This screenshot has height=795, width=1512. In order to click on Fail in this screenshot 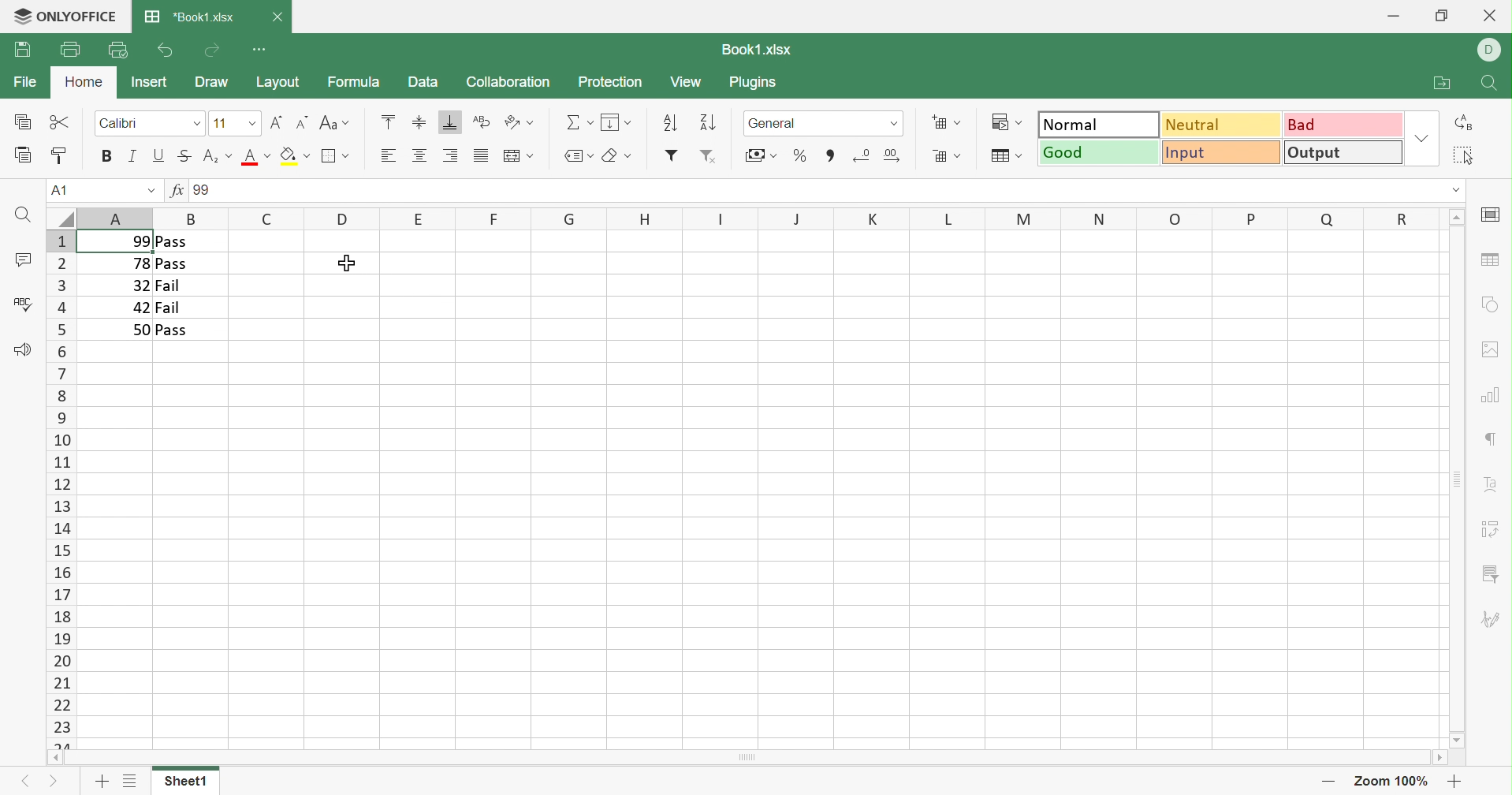, I will do `click(167, 286)`.